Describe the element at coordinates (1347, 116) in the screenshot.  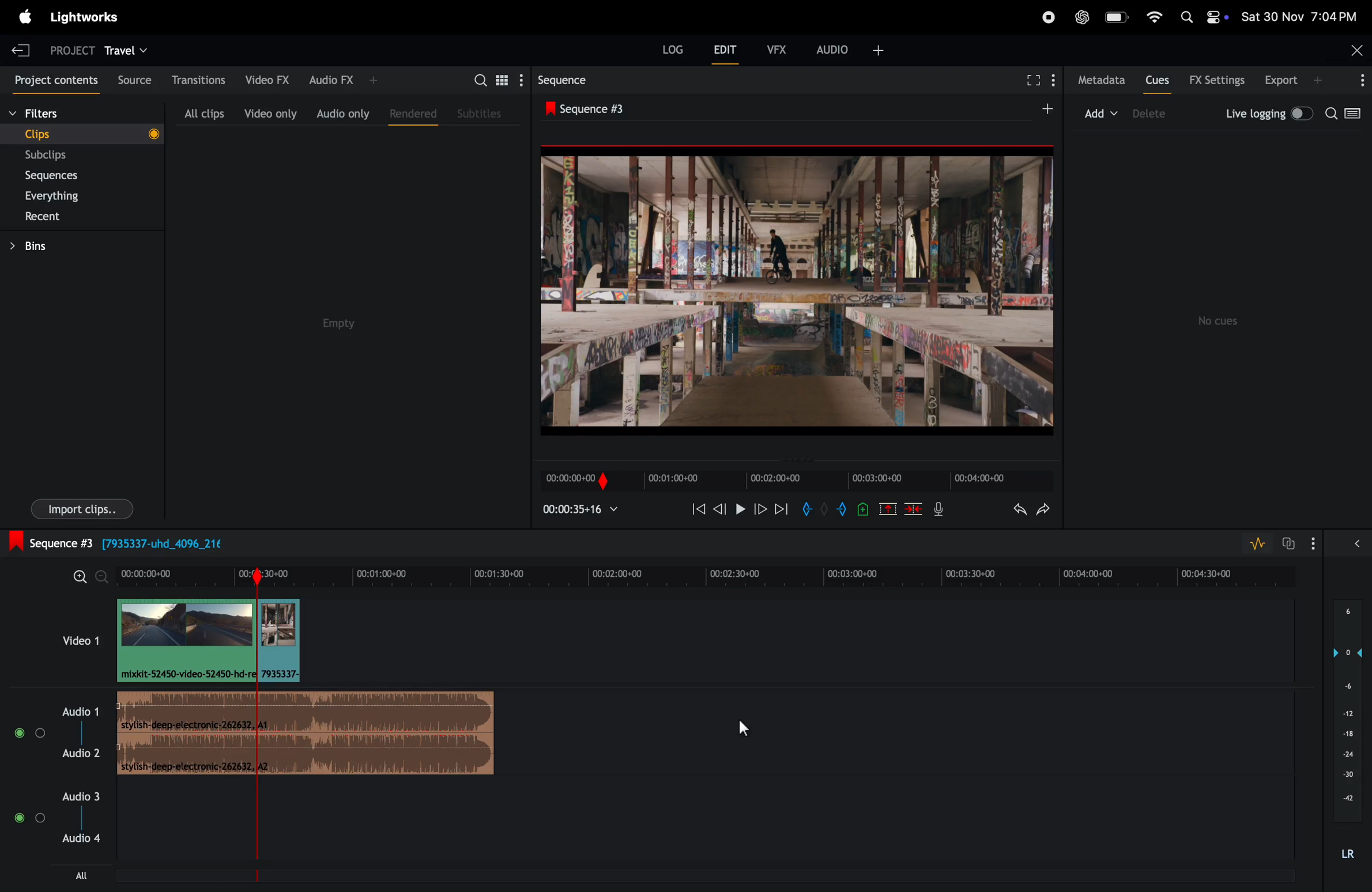
I see `search` at that location.